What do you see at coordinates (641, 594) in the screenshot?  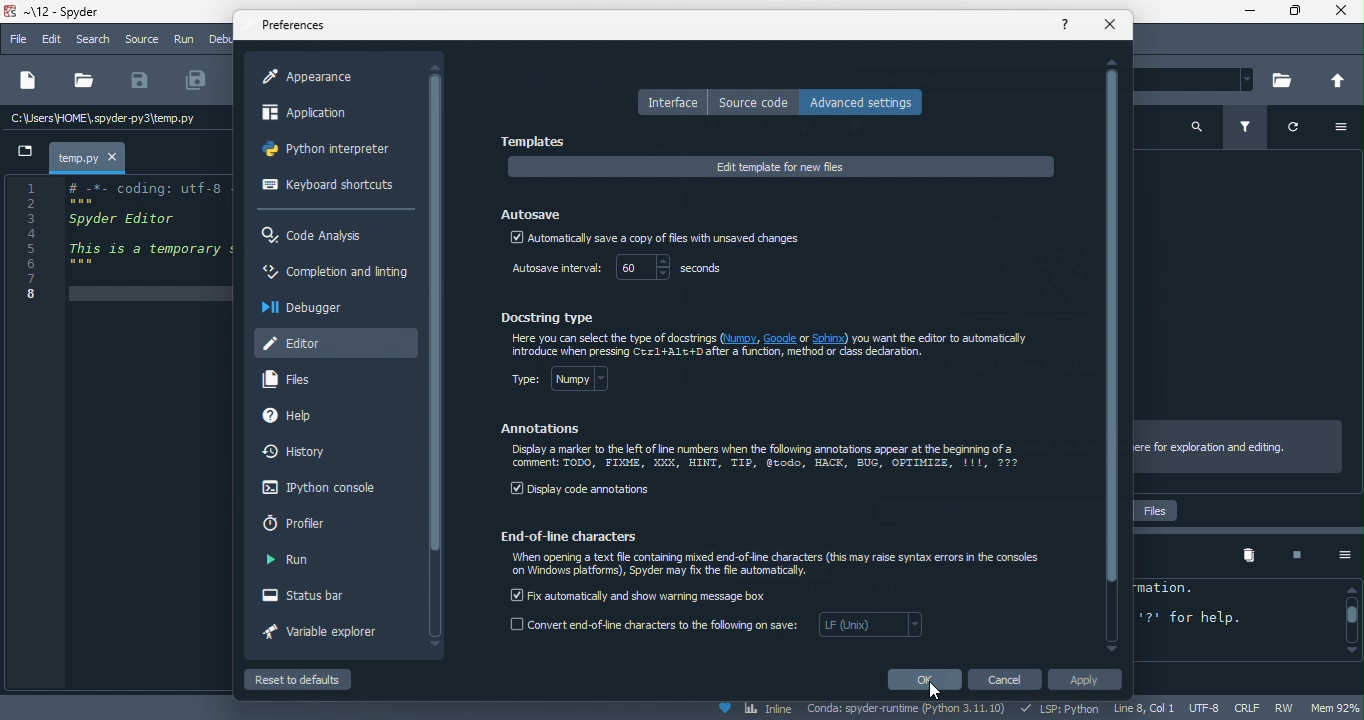 I see `fix automatically and show warming message box` at bounding box center [641, 594].